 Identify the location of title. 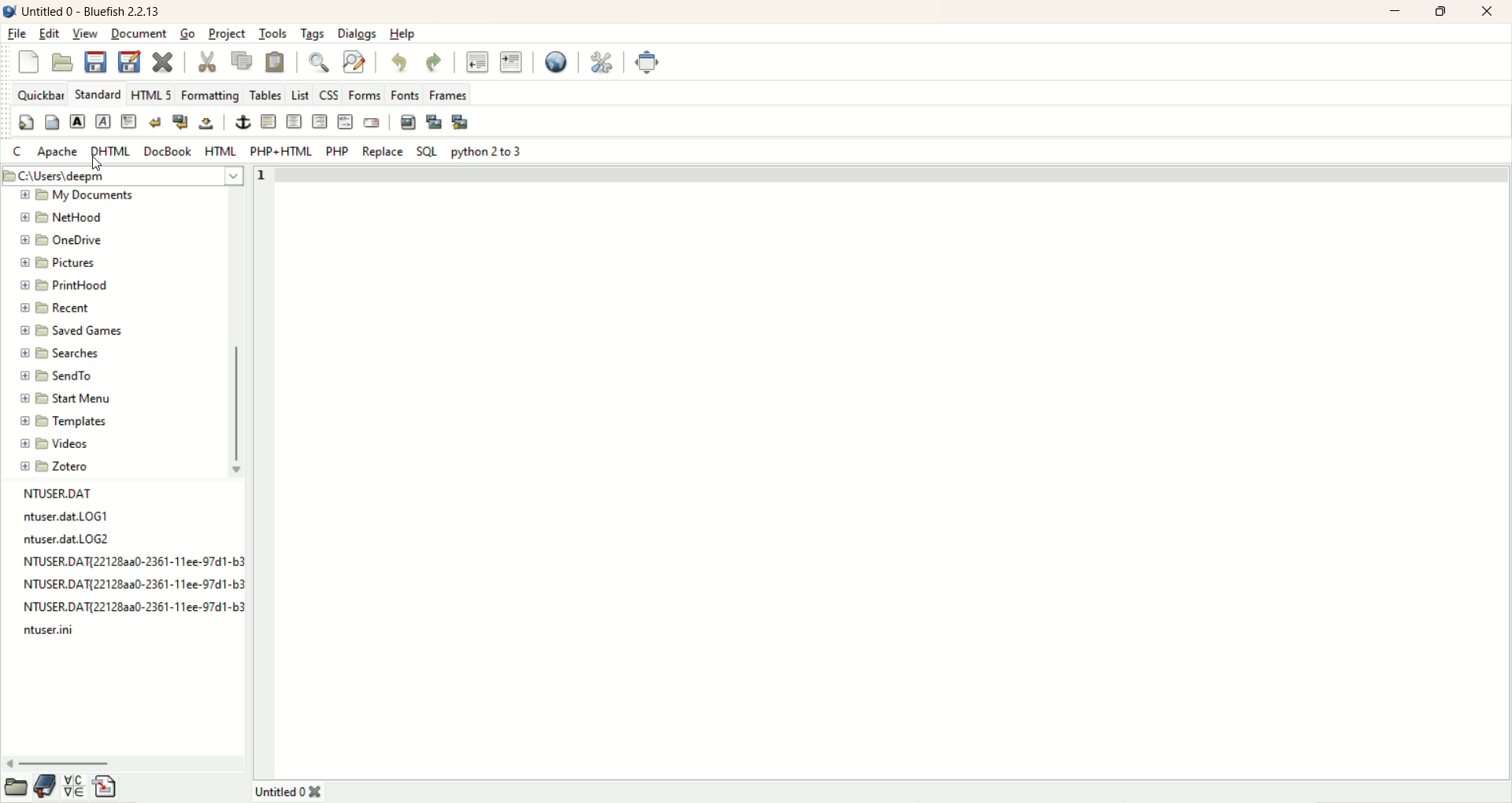
(94, 12).